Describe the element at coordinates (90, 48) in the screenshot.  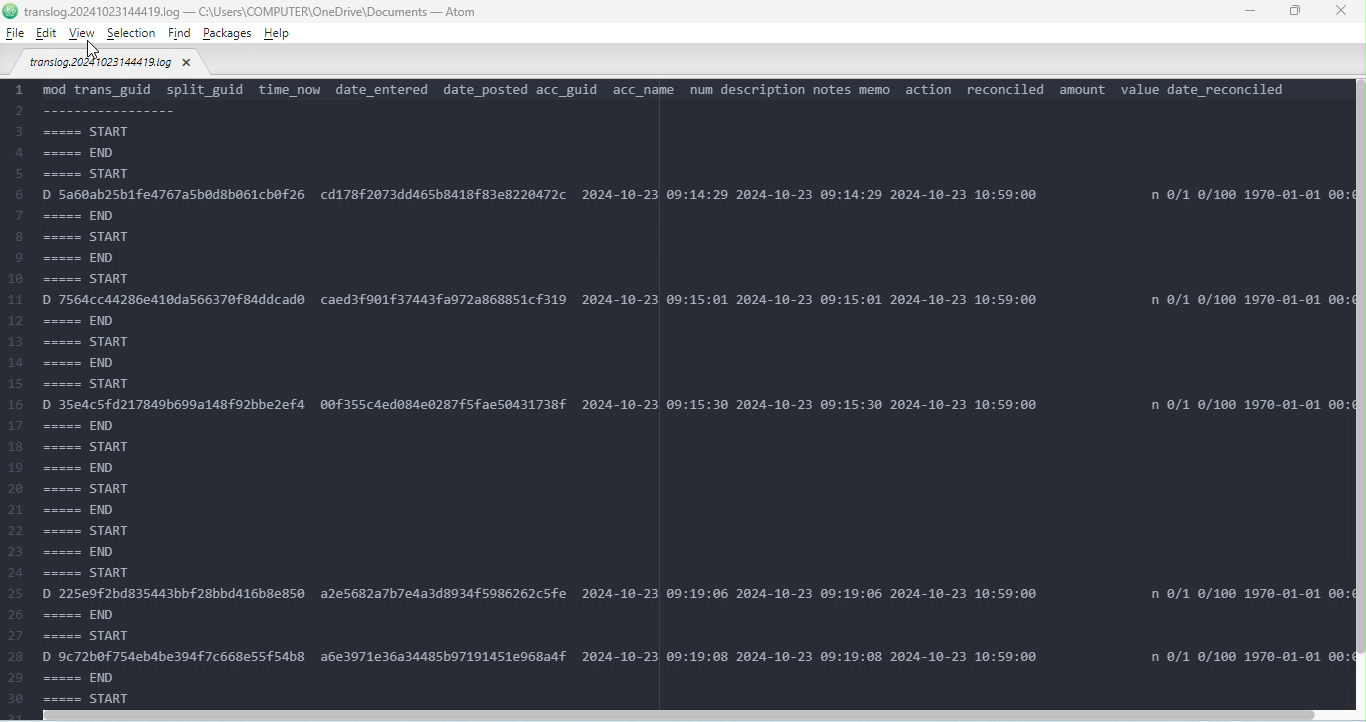
I see `Cursor` at that location.